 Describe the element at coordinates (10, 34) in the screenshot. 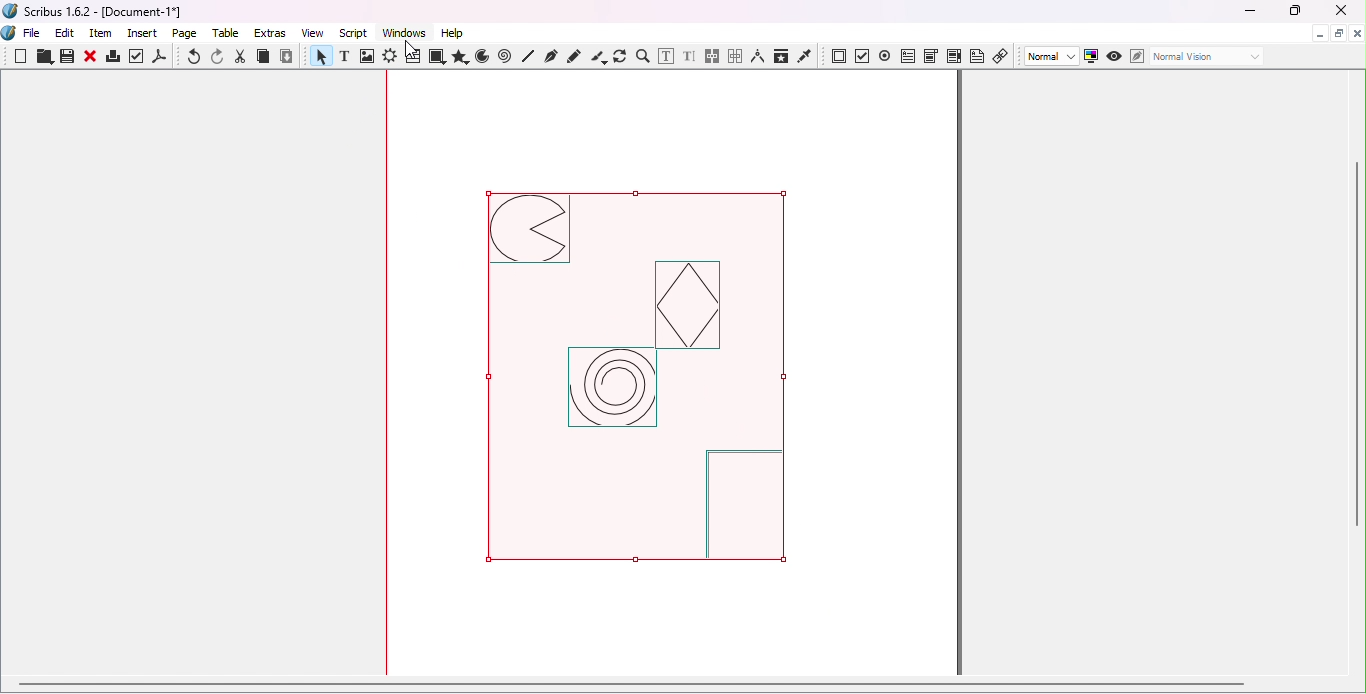

I see `Logo` at that location.